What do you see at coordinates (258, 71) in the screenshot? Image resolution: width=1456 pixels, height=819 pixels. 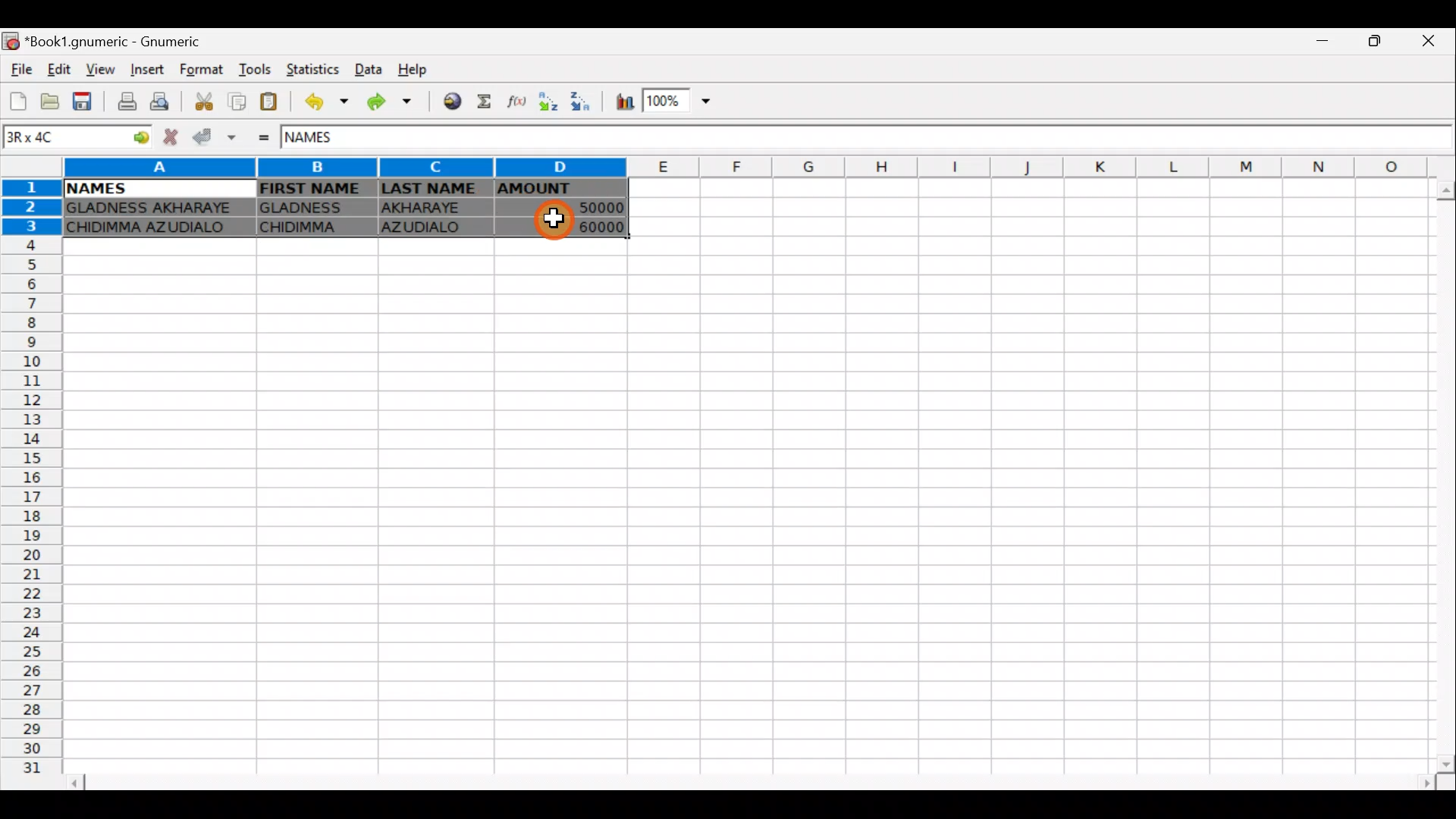 I see `Tools` at bounding box center [258, 71].